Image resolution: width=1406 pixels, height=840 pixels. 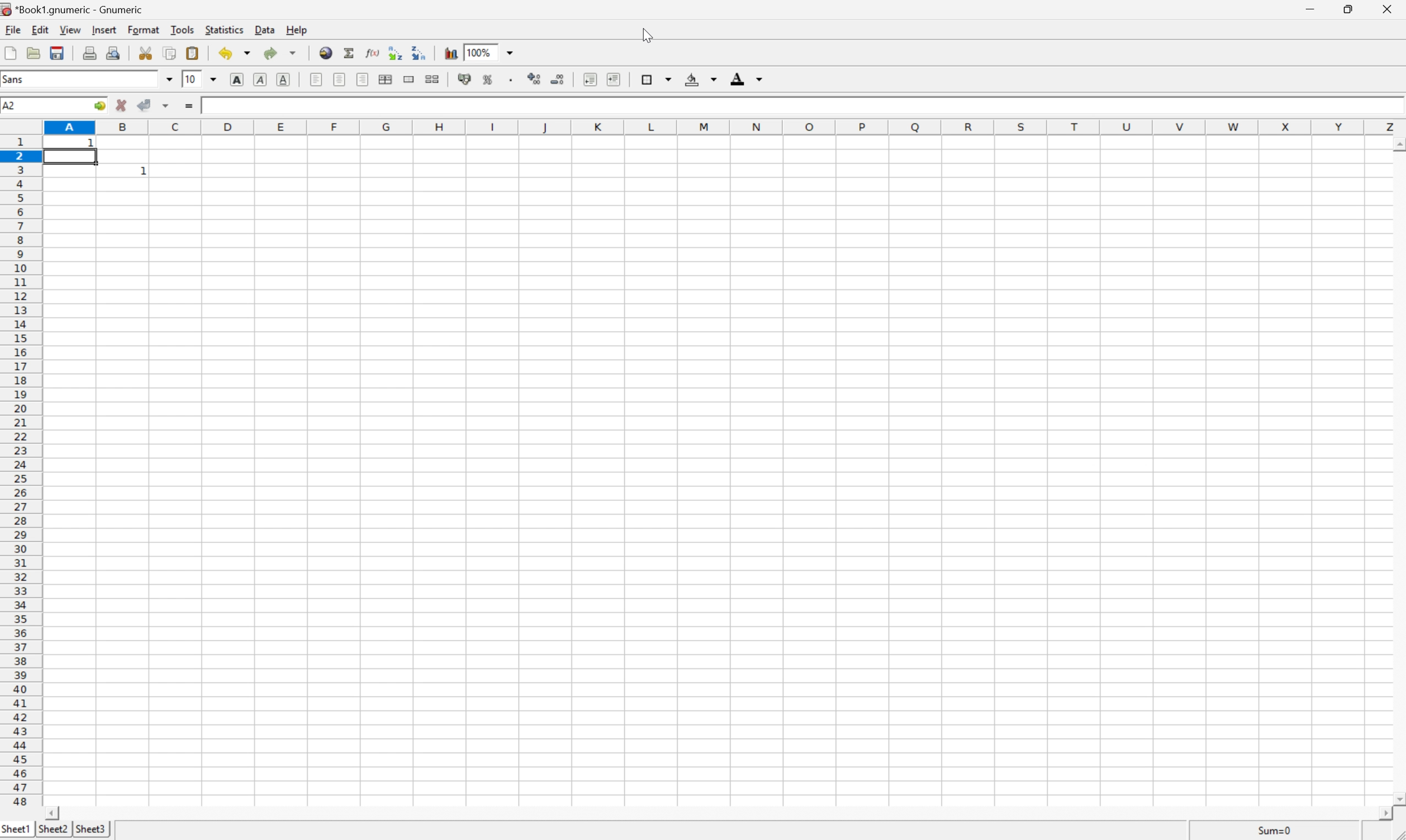 I want to click on cursor, so click(x=645, y=35).